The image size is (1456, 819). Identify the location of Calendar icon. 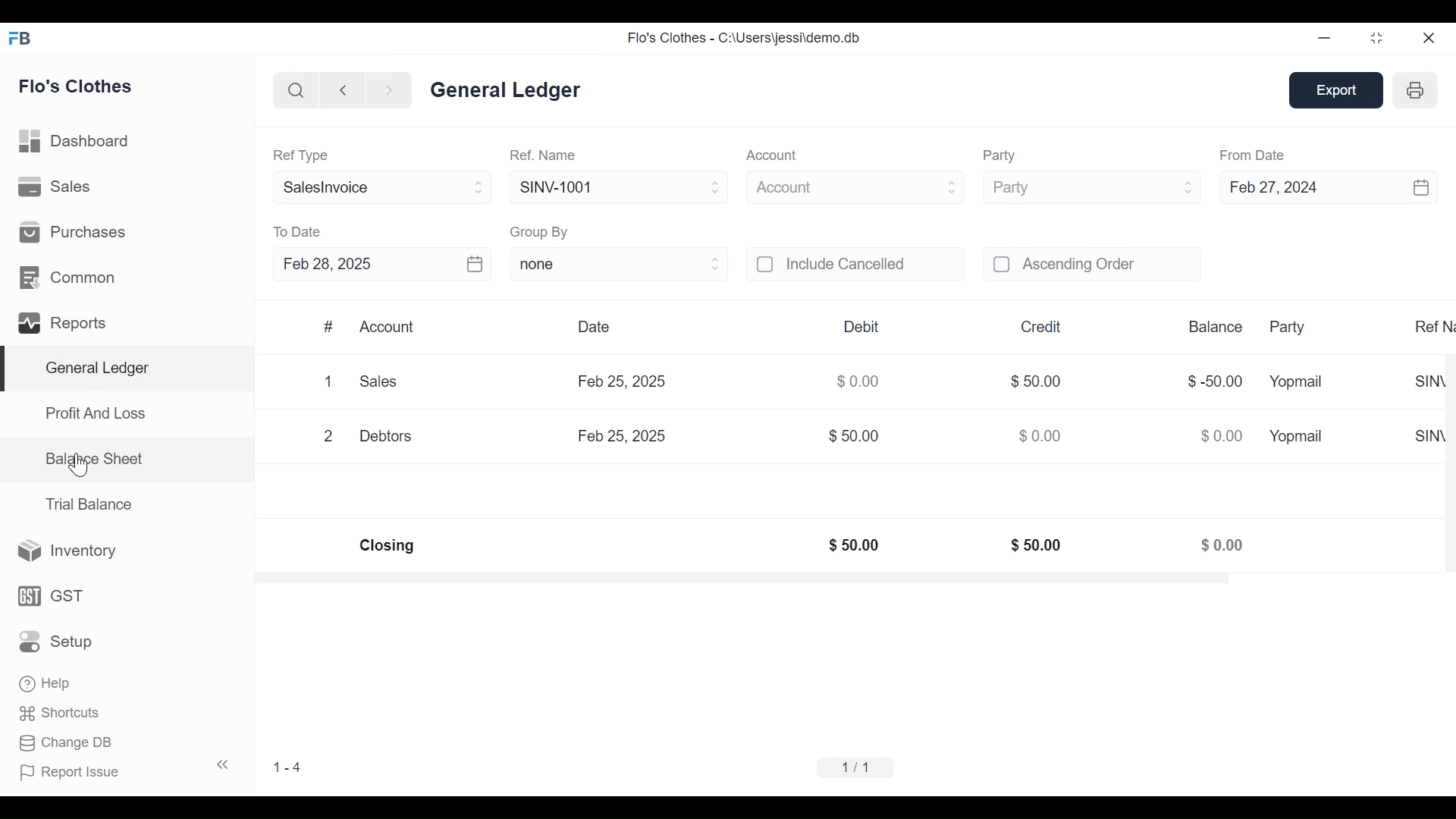
(1423, 187).